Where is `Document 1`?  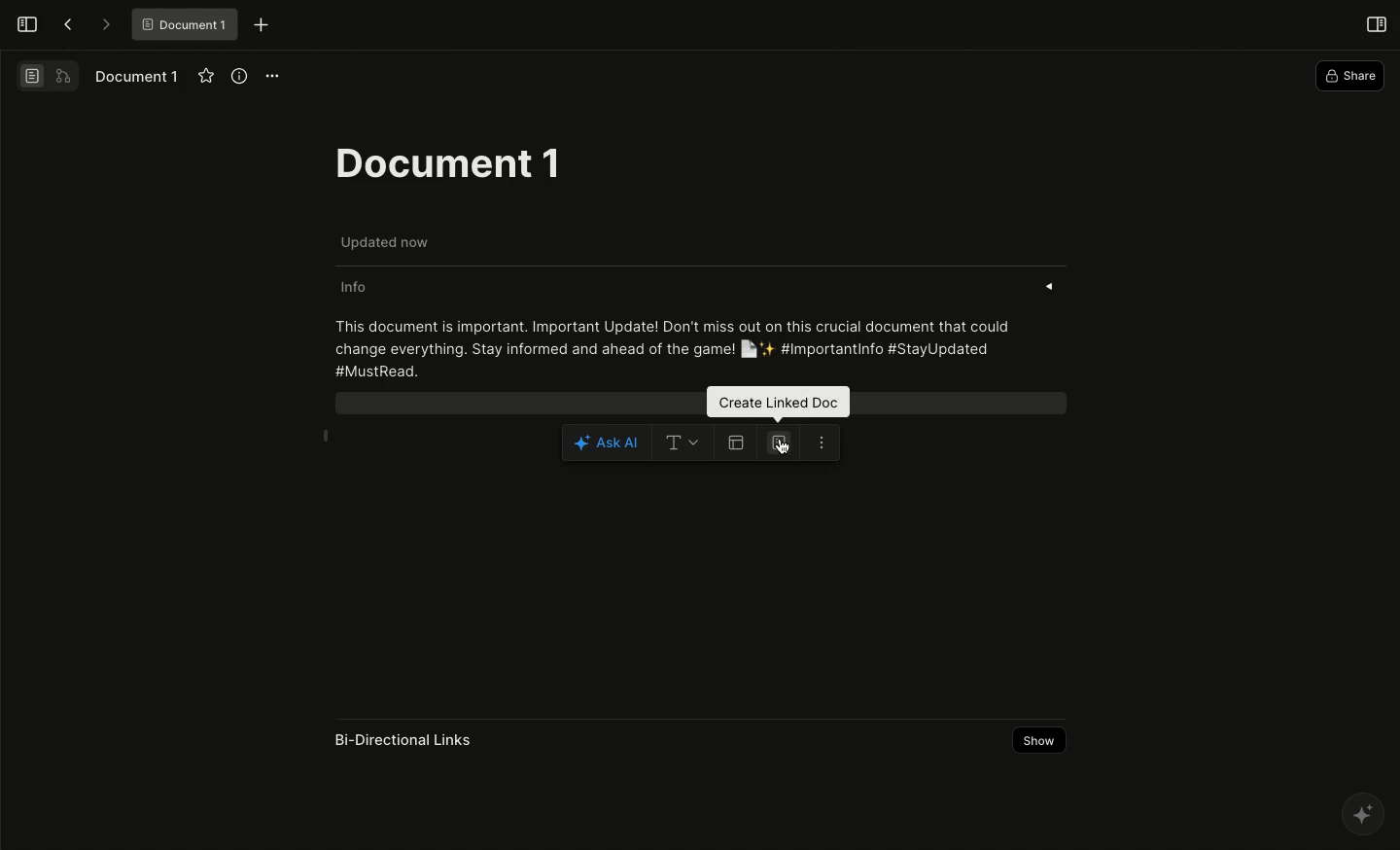 Document 1 is located at coordinates (139, 76).